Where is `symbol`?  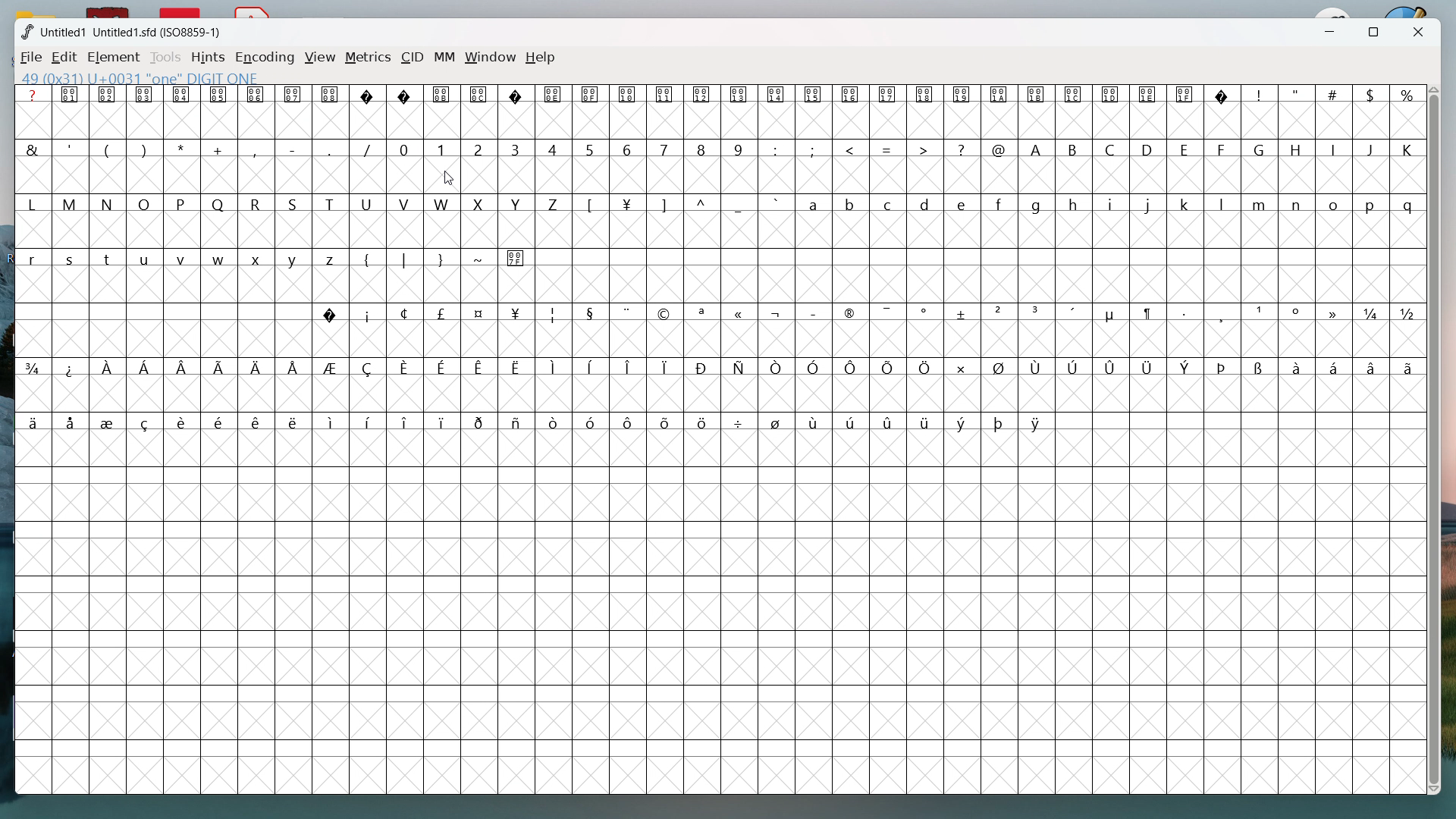 symbol is located at coordinates (182, 94).